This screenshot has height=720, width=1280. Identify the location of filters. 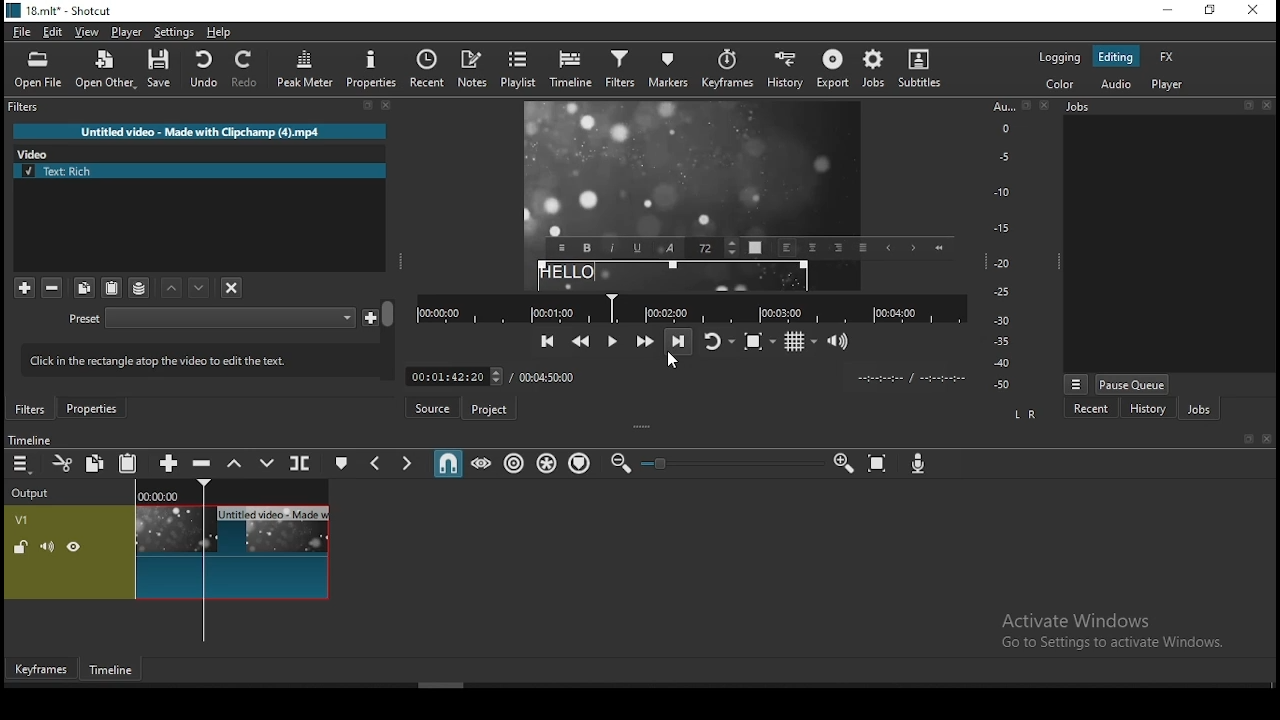
(619, 72).